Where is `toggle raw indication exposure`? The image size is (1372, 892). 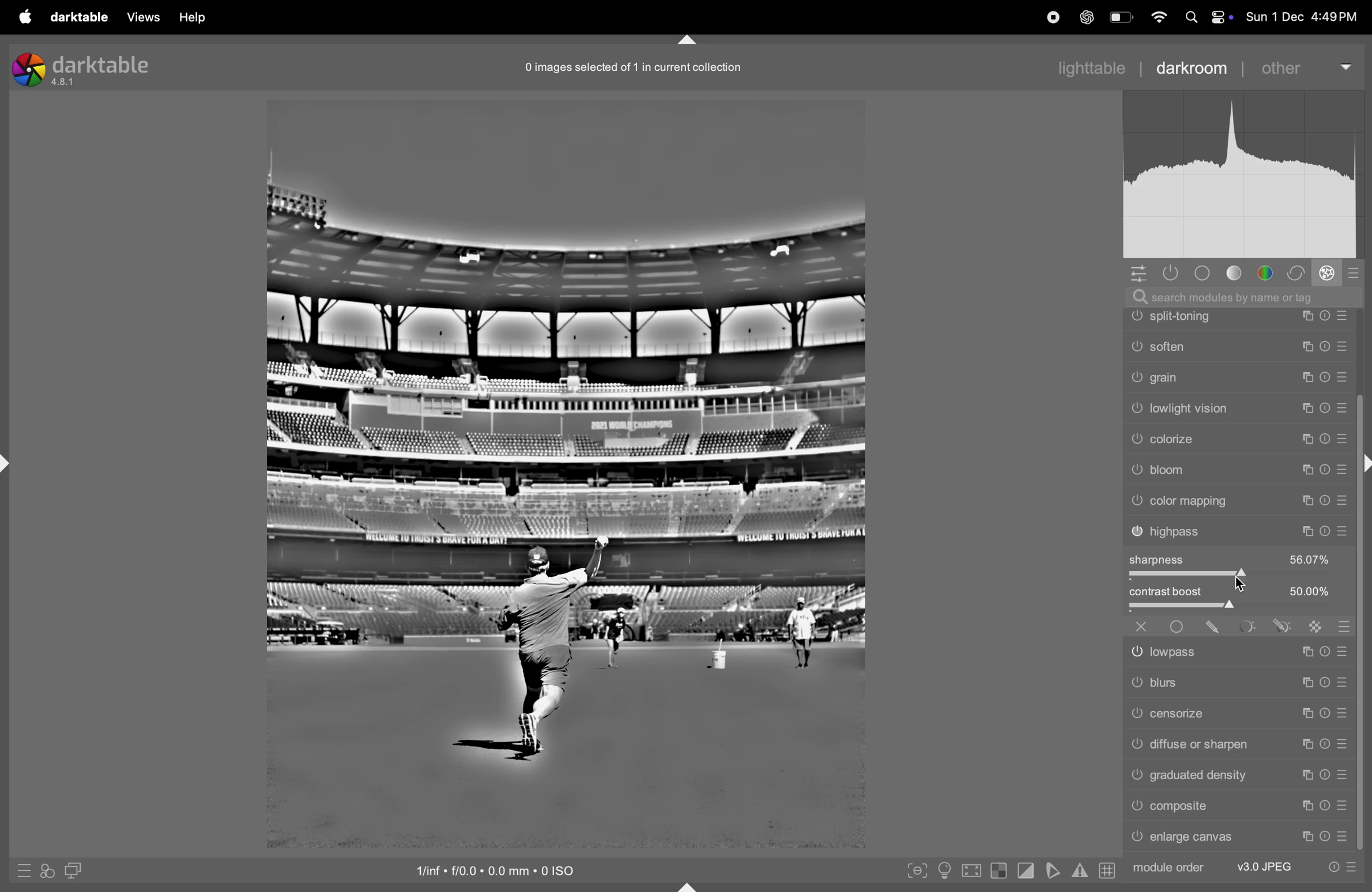 toggle raw indication exposure is located at coordinates (998, 872).